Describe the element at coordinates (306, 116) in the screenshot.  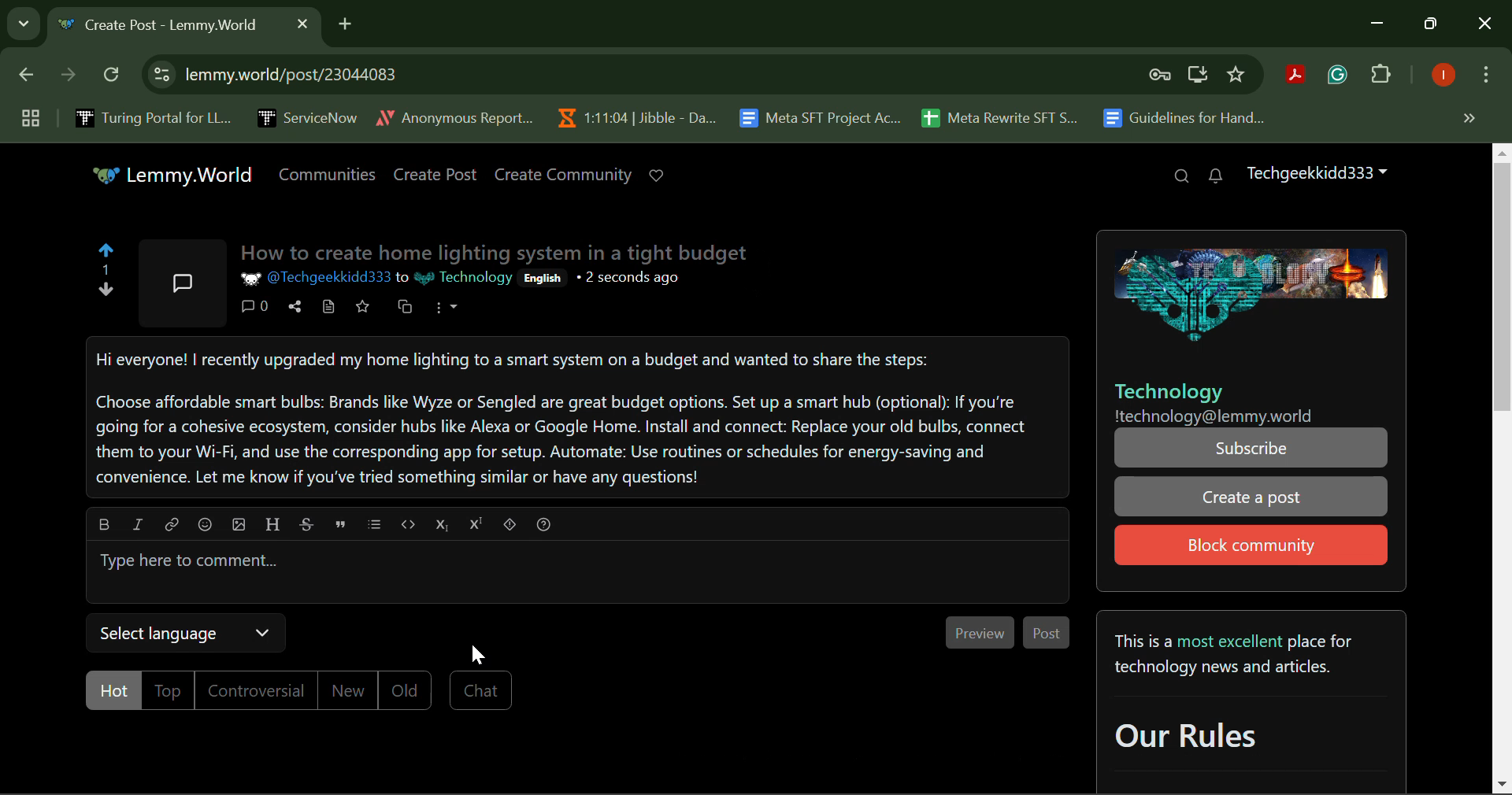
I see `ServiceNow` at that location.